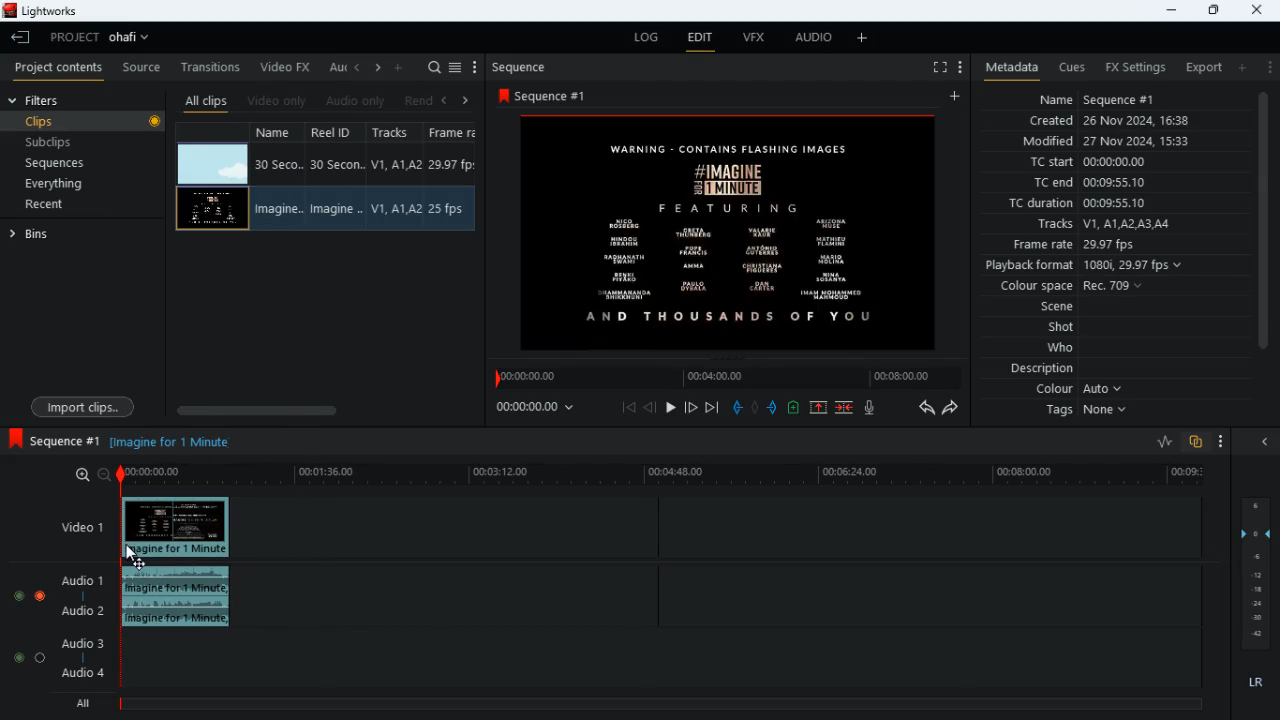 This screenshot has width=1280, height=720. I want to click on layers, so click(1260, 575).